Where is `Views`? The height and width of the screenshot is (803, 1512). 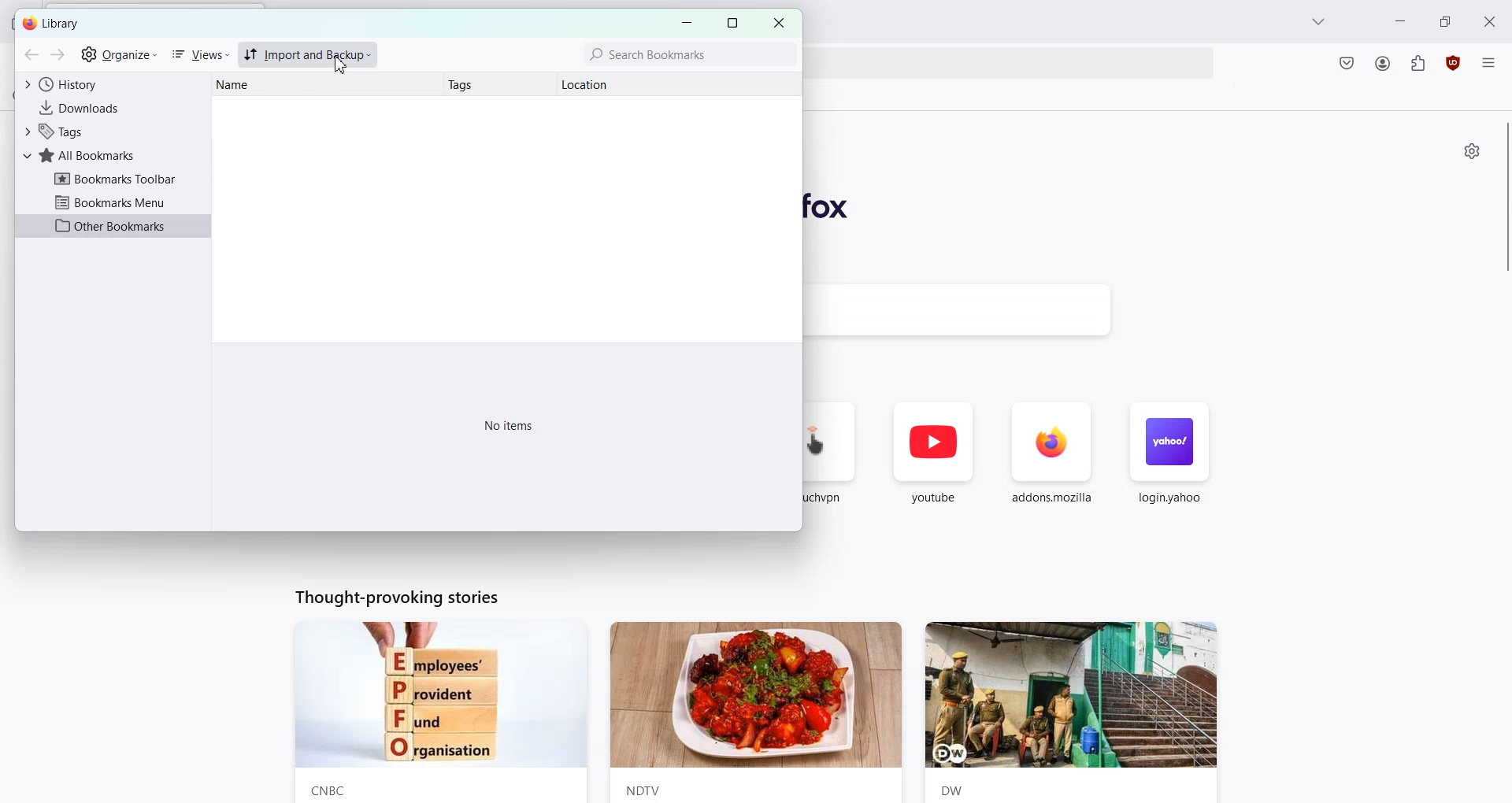
Views is located at coordinates (198, 55).